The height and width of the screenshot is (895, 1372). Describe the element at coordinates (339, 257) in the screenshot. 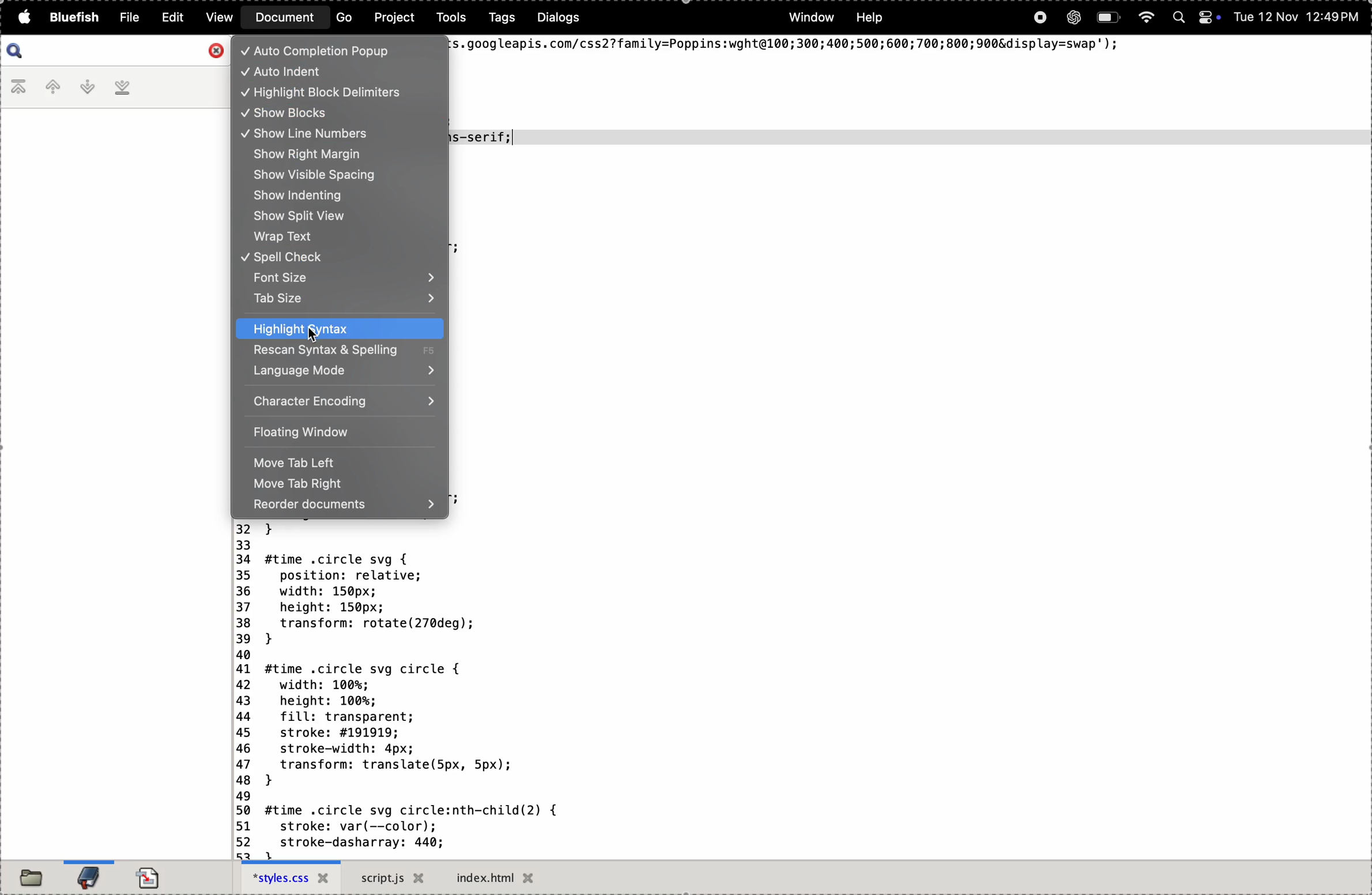

I see `spell check` at that location.